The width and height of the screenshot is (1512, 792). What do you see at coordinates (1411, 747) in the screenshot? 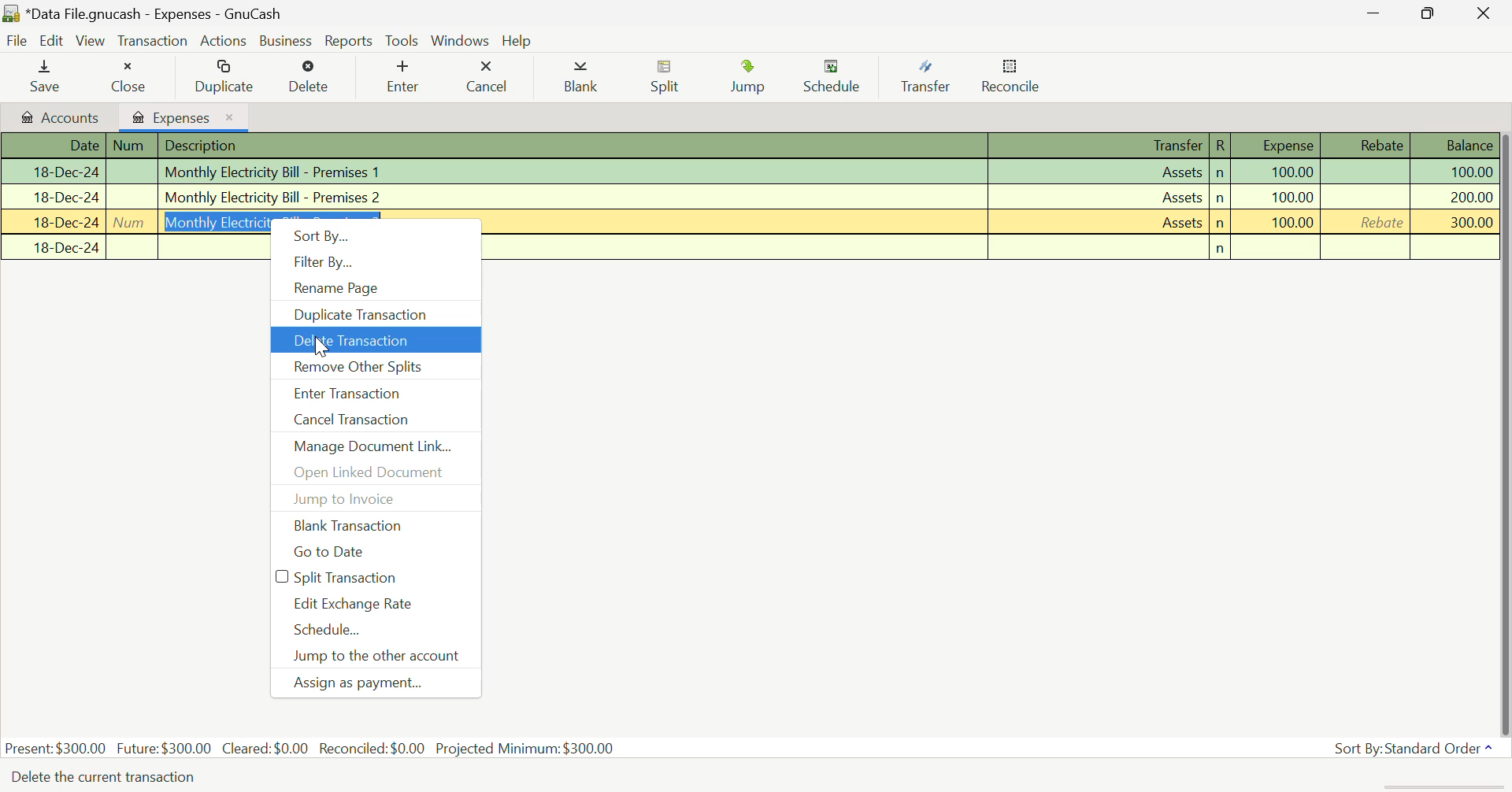
I see `Sort By: Standard Order` at bounding box center [1411, 747].